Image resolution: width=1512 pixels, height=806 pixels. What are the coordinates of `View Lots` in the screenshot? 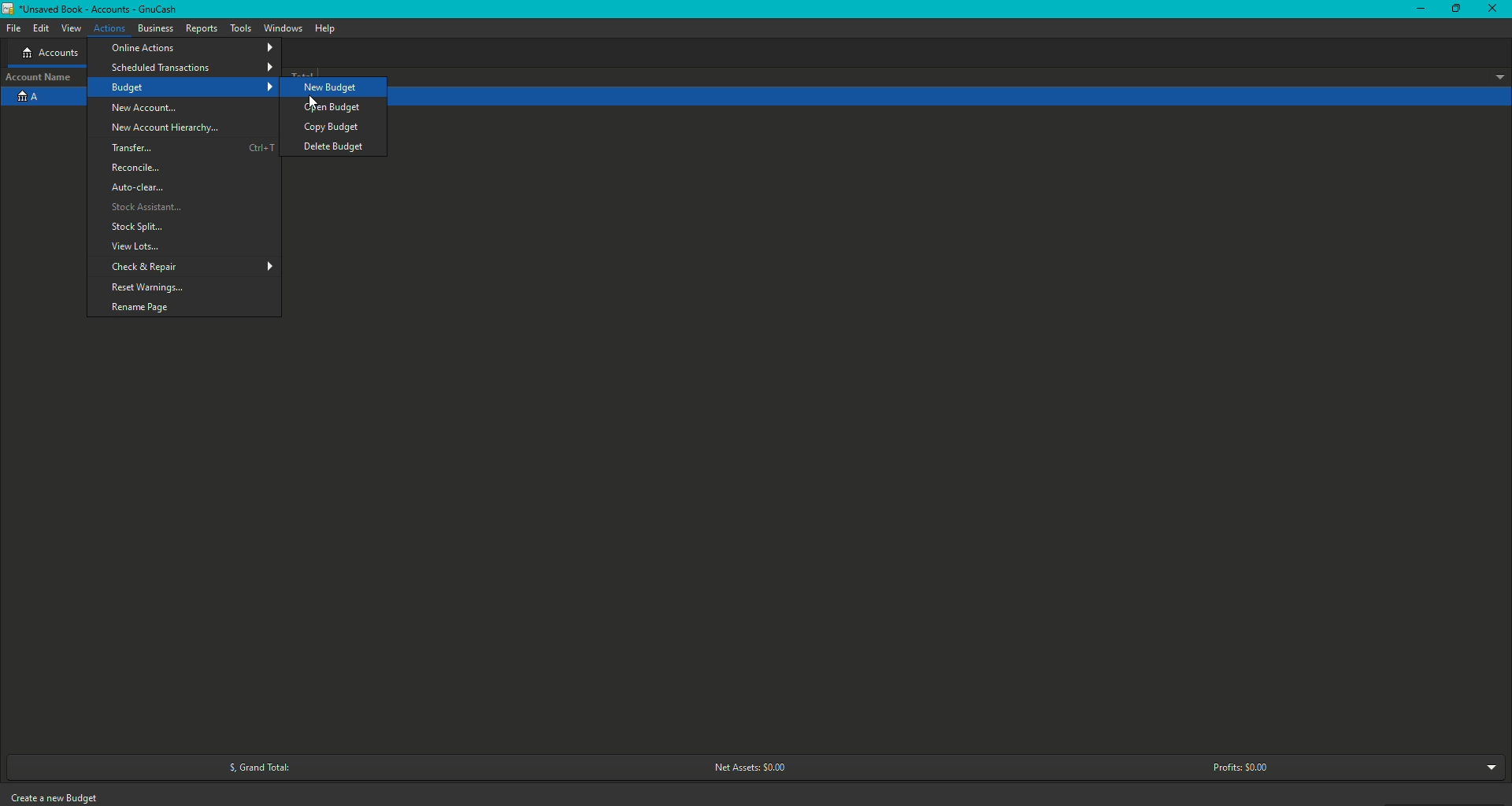 It's located at (137, 248).